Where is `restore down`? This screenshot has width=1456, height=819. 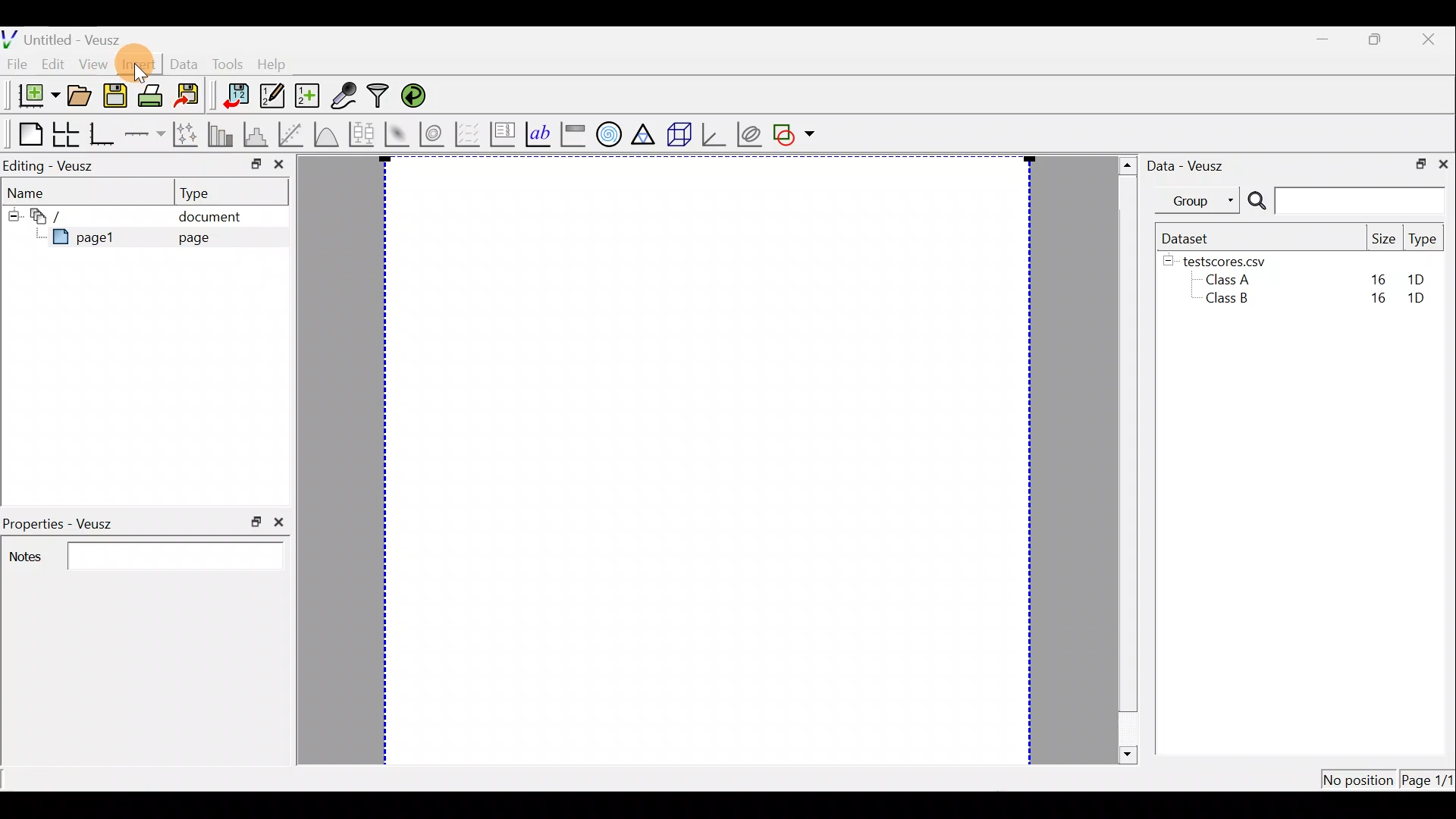
restore down is located at coordinates (252, 522).